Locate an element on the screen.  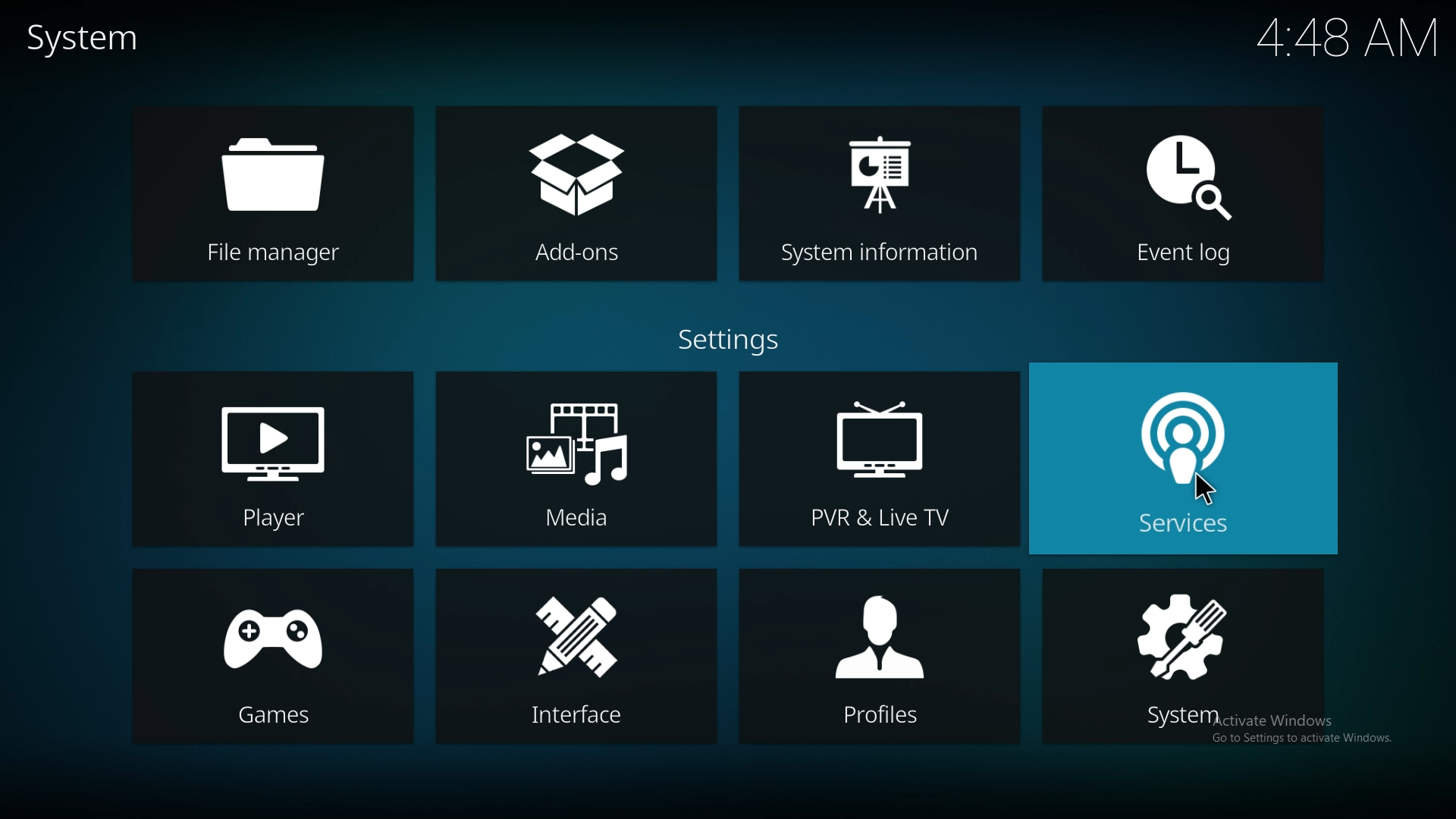
player is located at coordinates (271, 460).